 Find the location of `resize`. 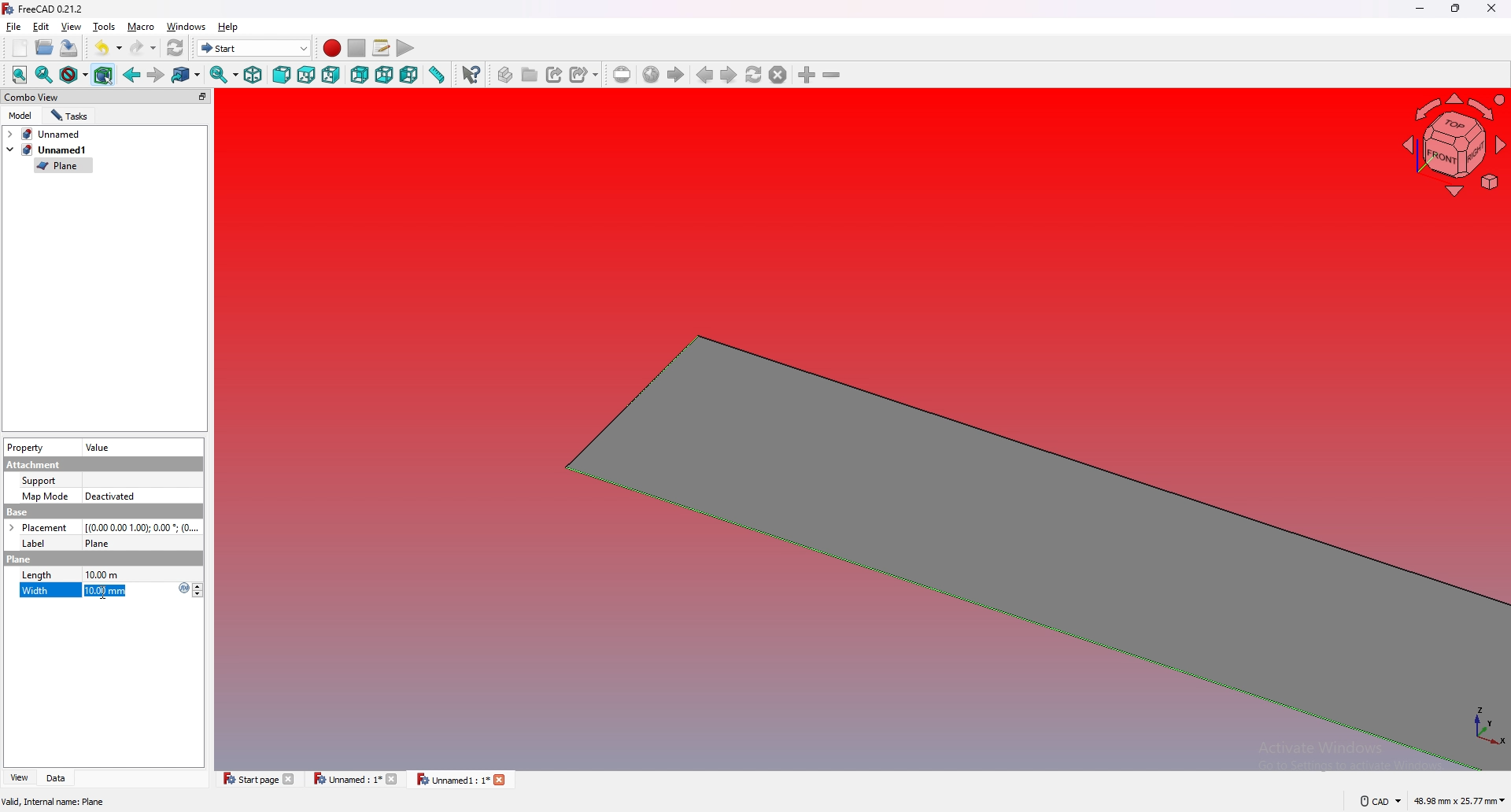

resize is located at coordinates (1457, 9).